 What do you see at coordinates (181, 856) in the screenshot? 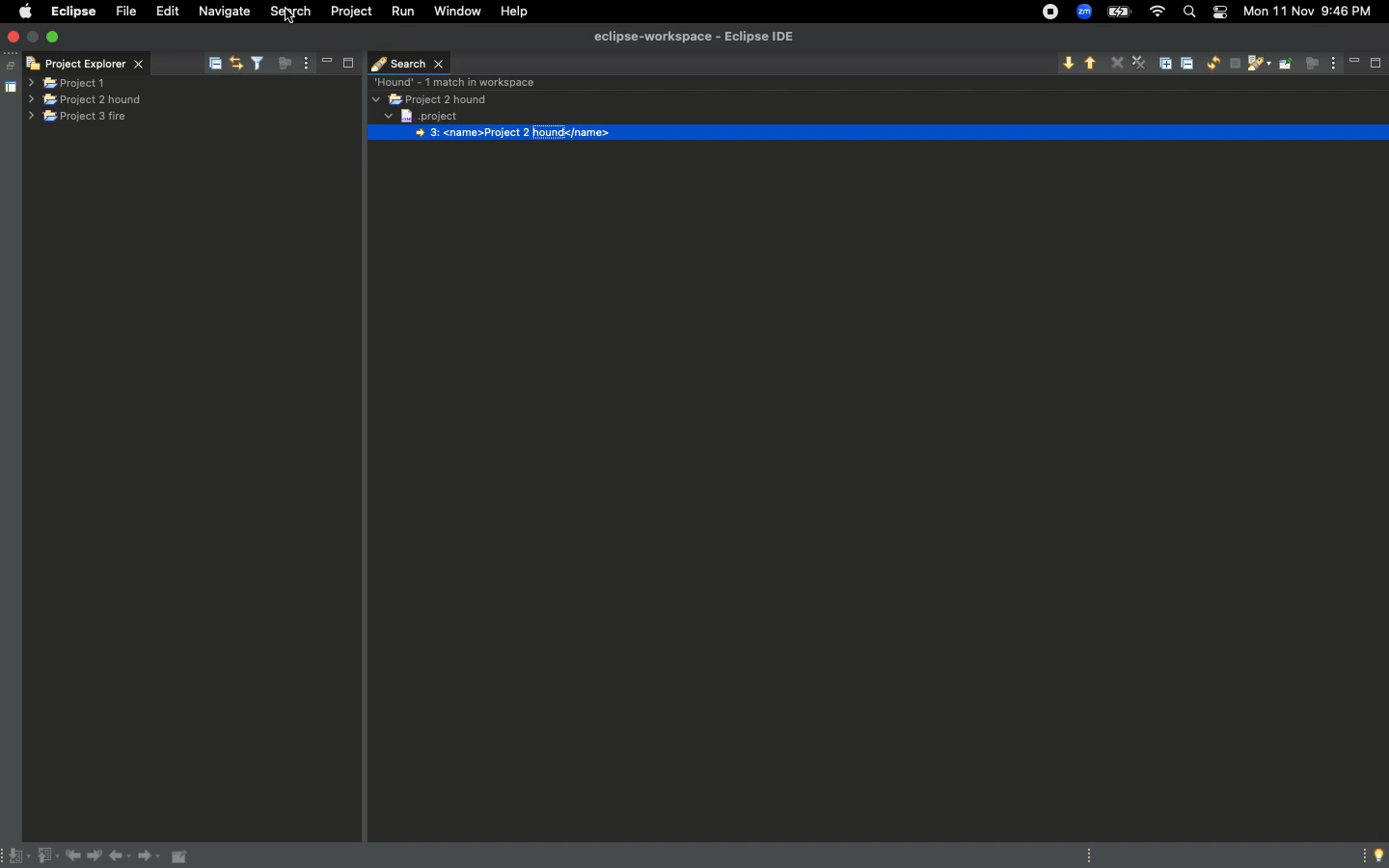
I see `Pin editor` at bounding box center [181, 856].